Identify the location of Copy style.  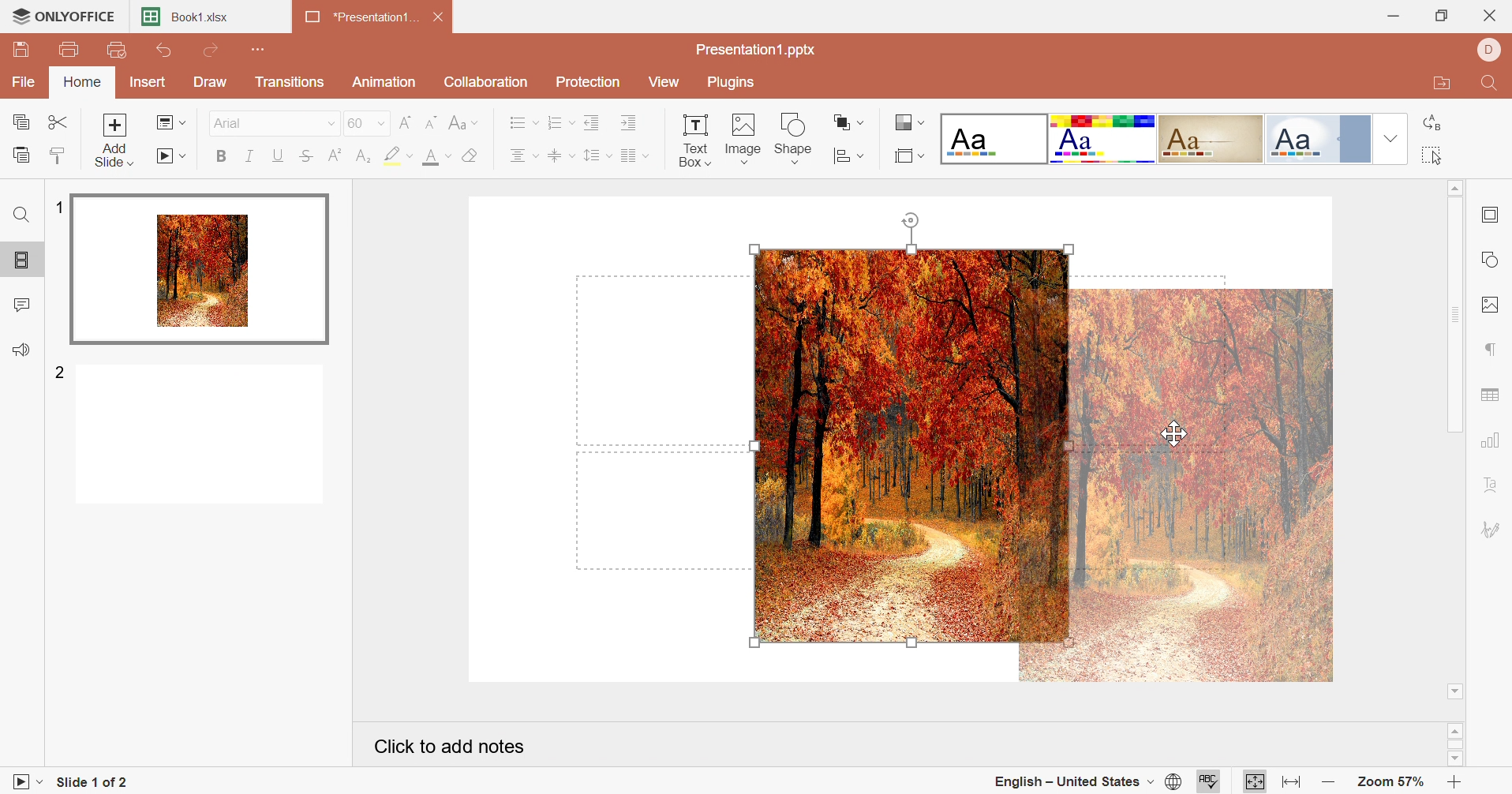
(61, 156).